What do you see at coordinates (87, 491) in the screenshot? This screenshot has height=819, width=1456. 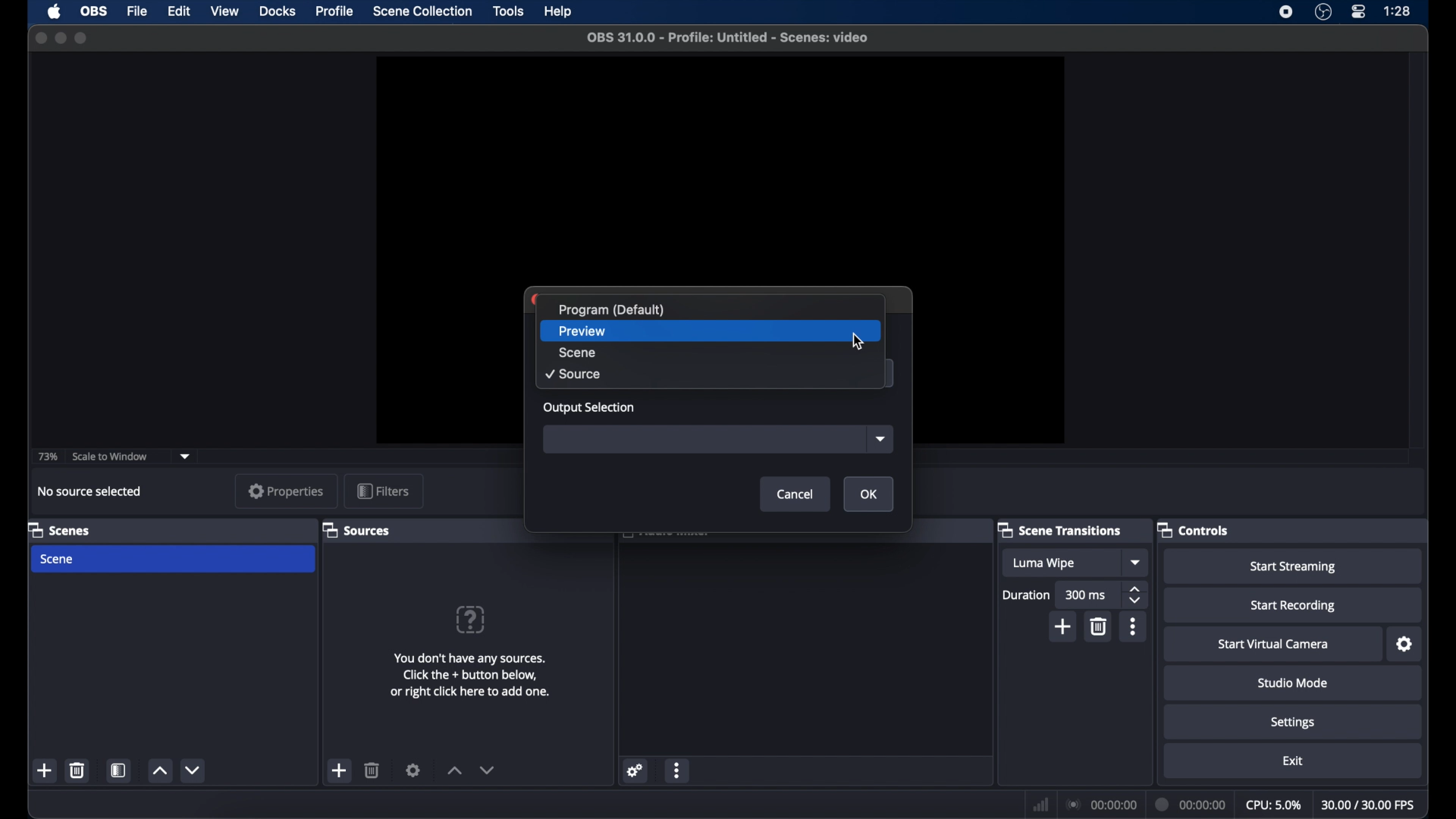 I see `no source selected` at bounding box center [87, 491].